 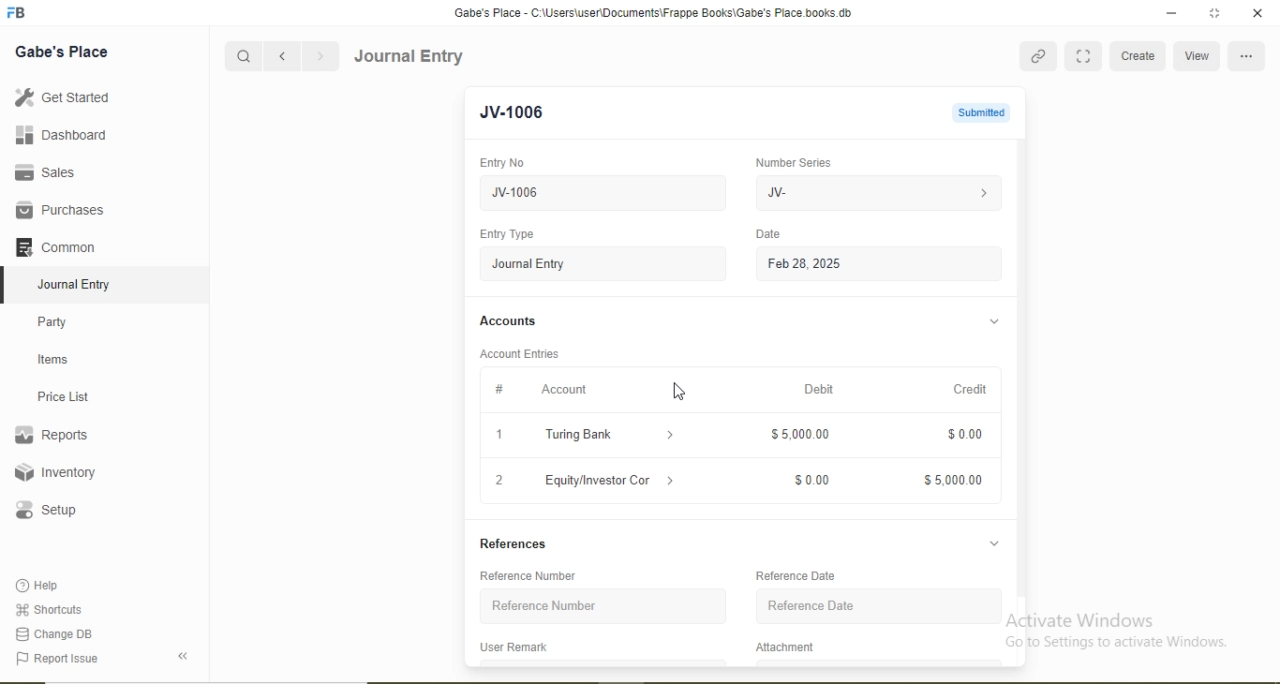 I want to click on Attachment, so click(x=784, y=646).